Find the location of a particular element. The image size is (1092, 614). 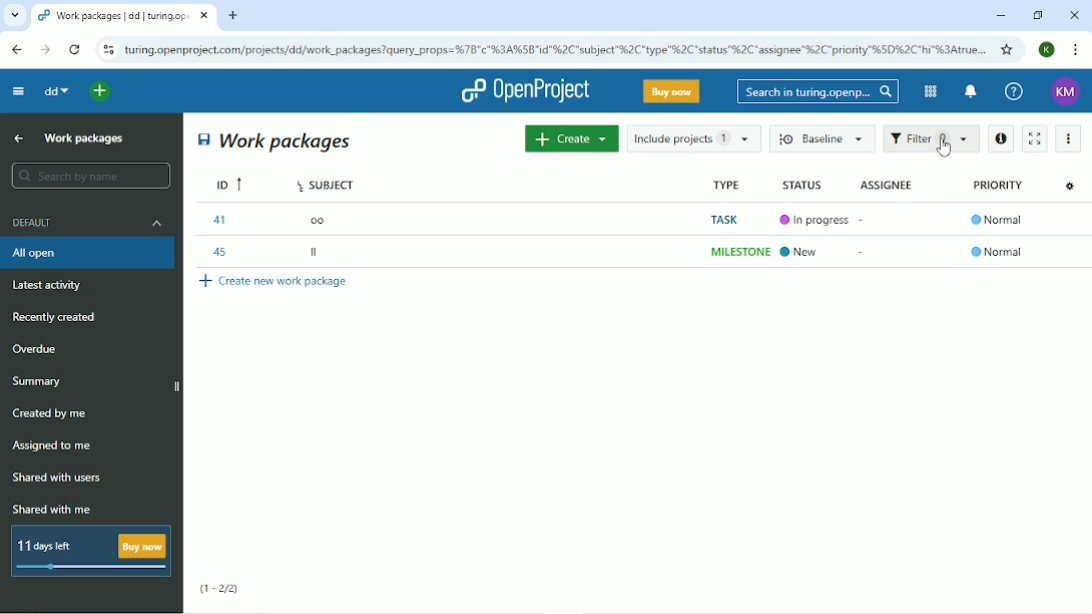

Up is located at coordinates (16, 139).